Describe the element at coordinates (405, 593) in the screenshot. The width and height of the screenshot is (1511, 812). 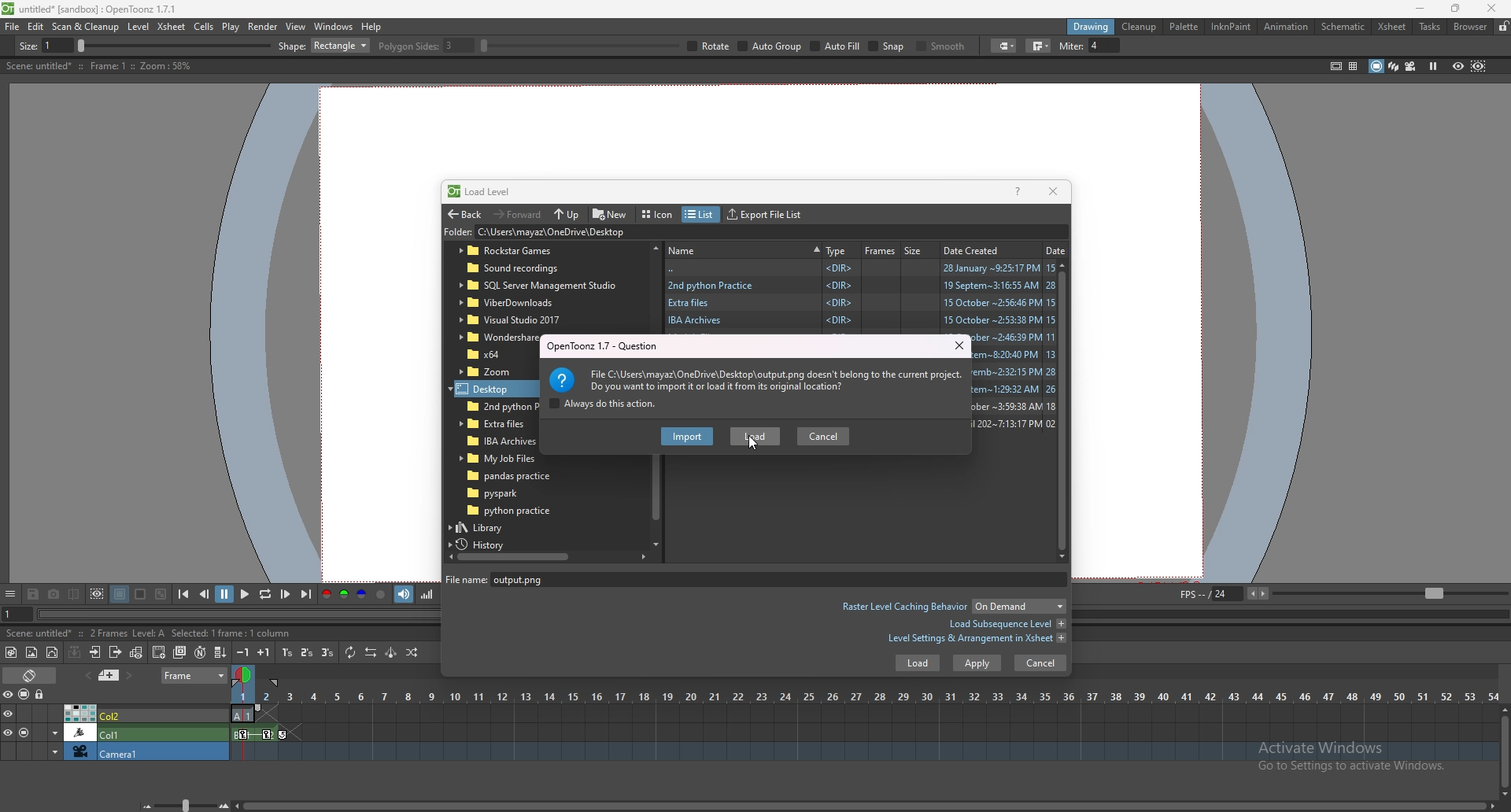
I see `soundtrack` at that location.